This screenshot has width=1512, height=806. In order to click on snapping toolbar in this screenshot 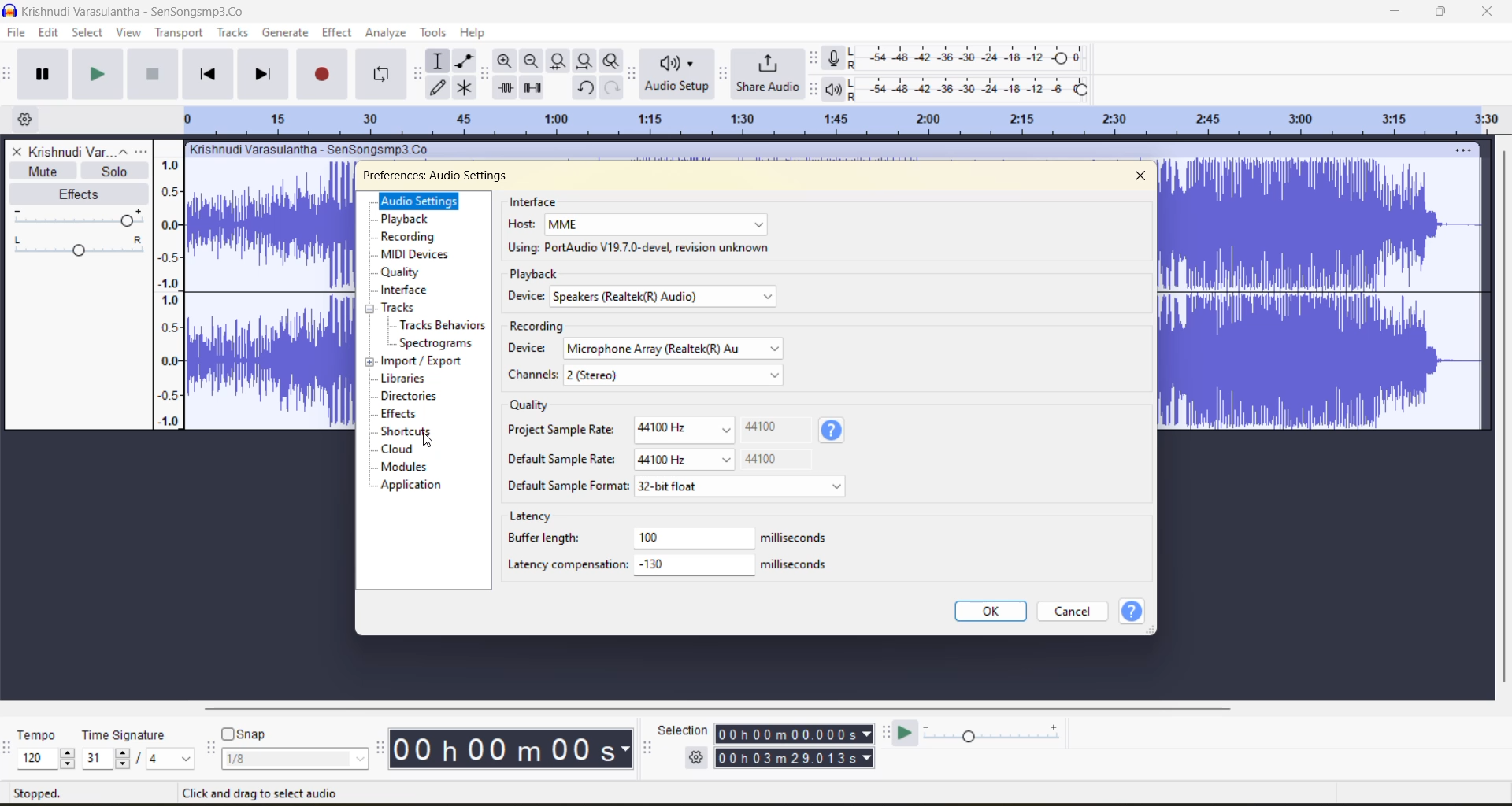, I will do `click(211, 749)`.